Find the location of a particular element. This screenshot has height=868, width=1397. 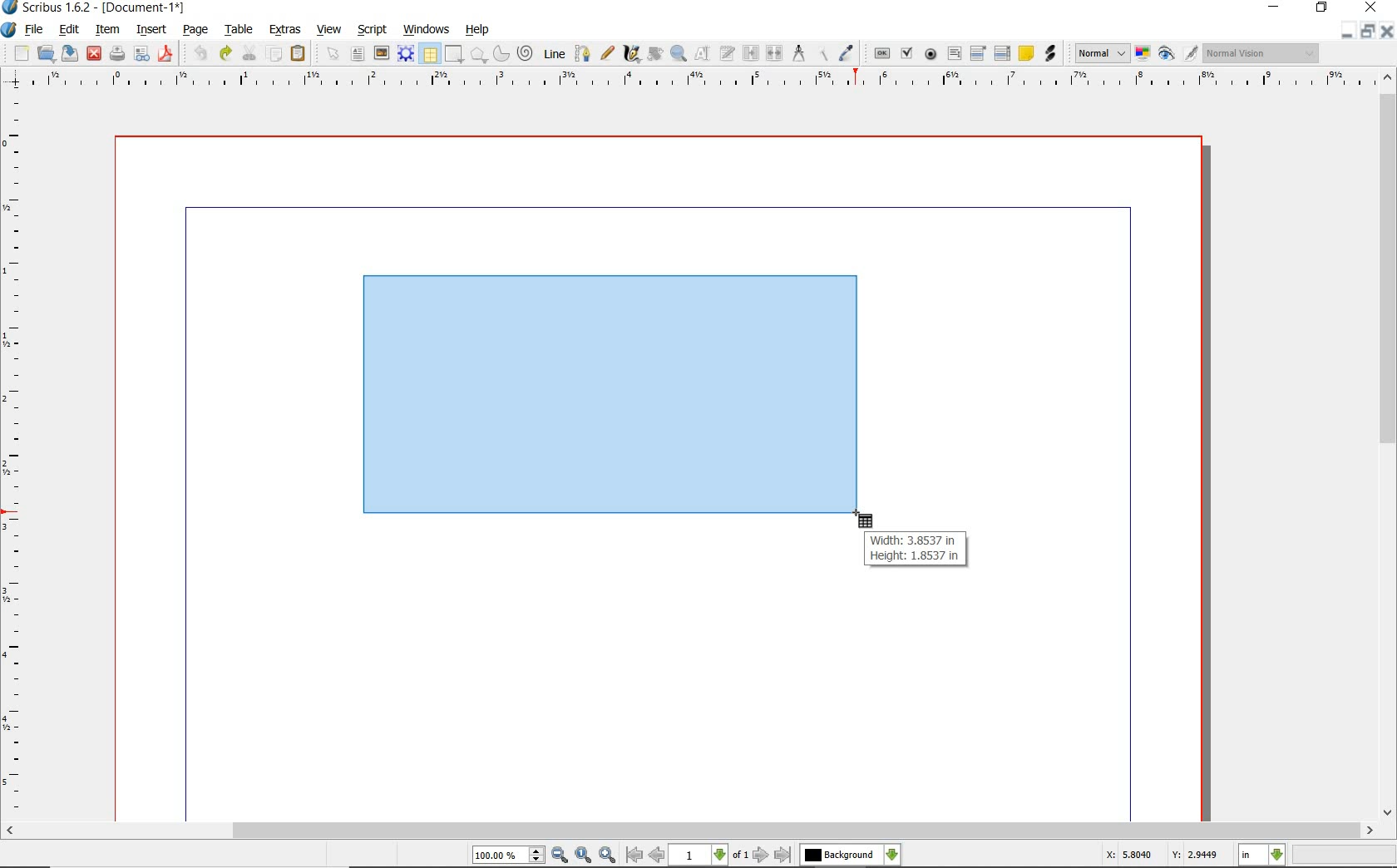

help is located at coordinates (477, 30).